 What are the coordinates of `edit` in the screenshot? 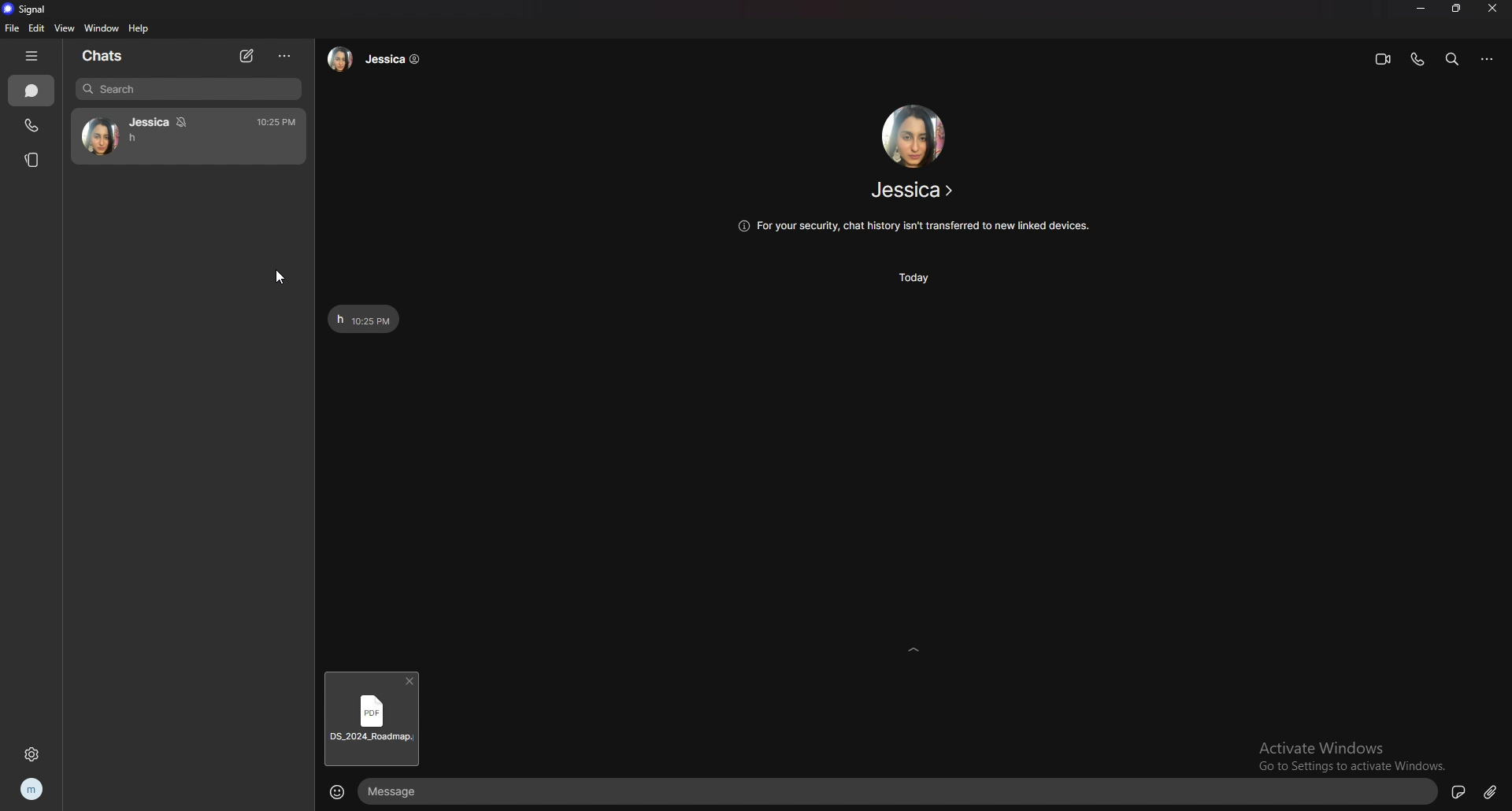 It's located at (35, 28).